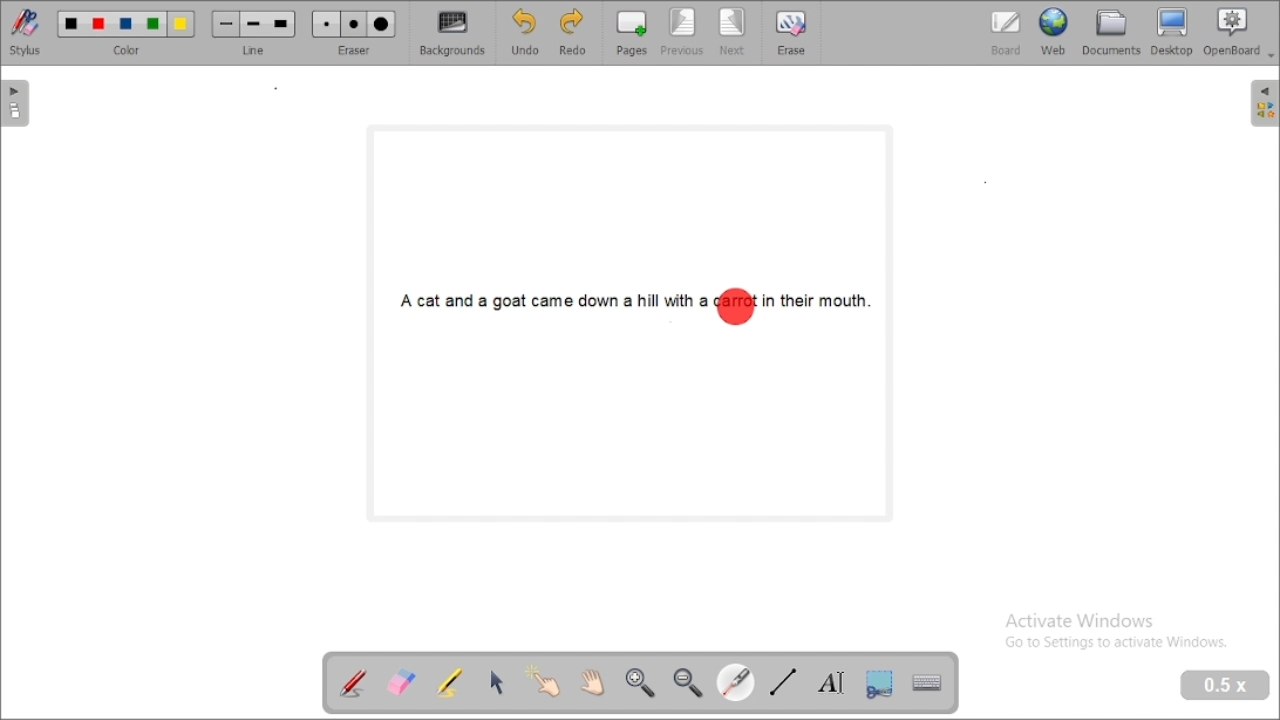  I want to click on zoom in, so click(641, 684).